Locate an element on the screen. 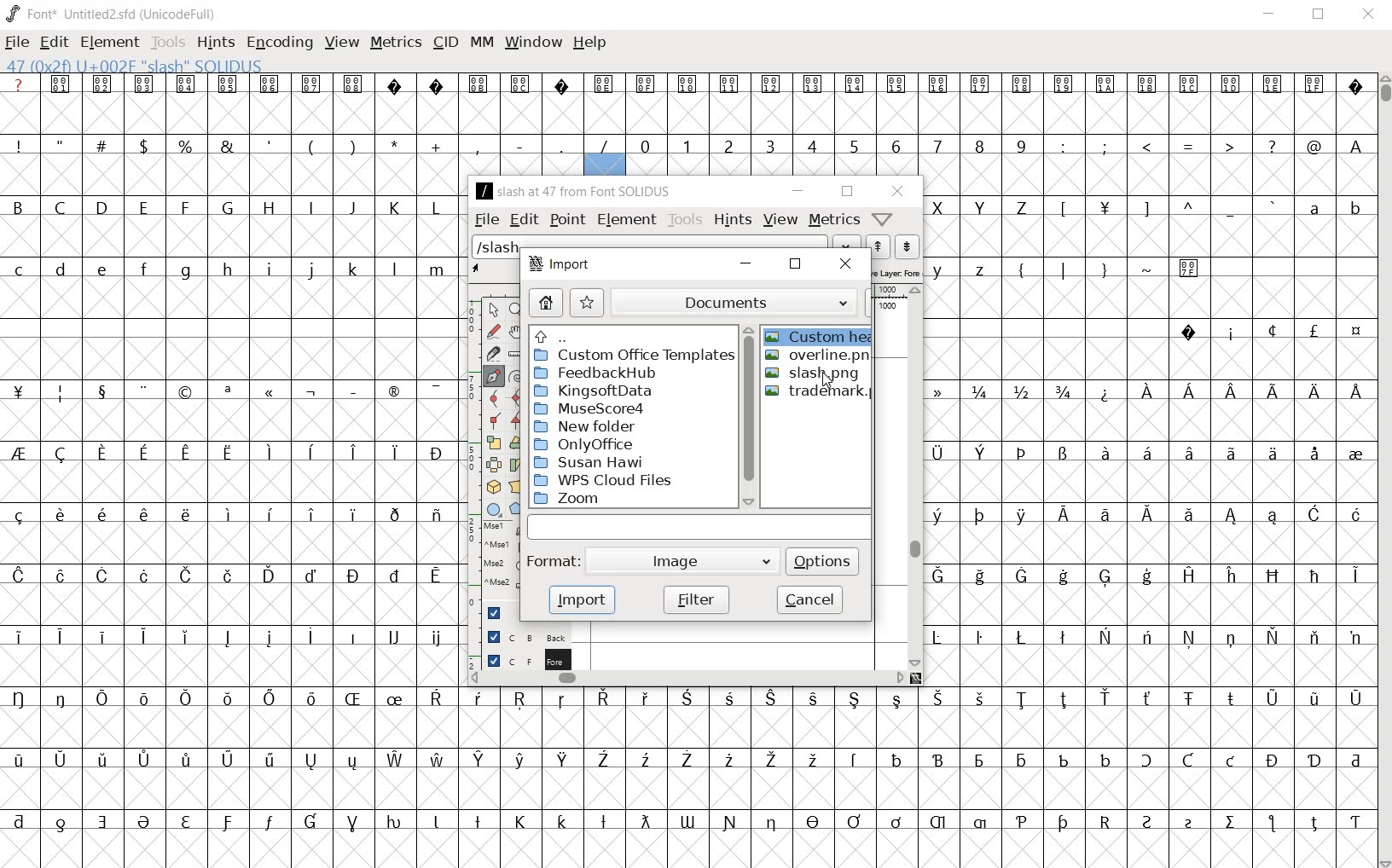  TOOLS is located at coordinates (167, 43).